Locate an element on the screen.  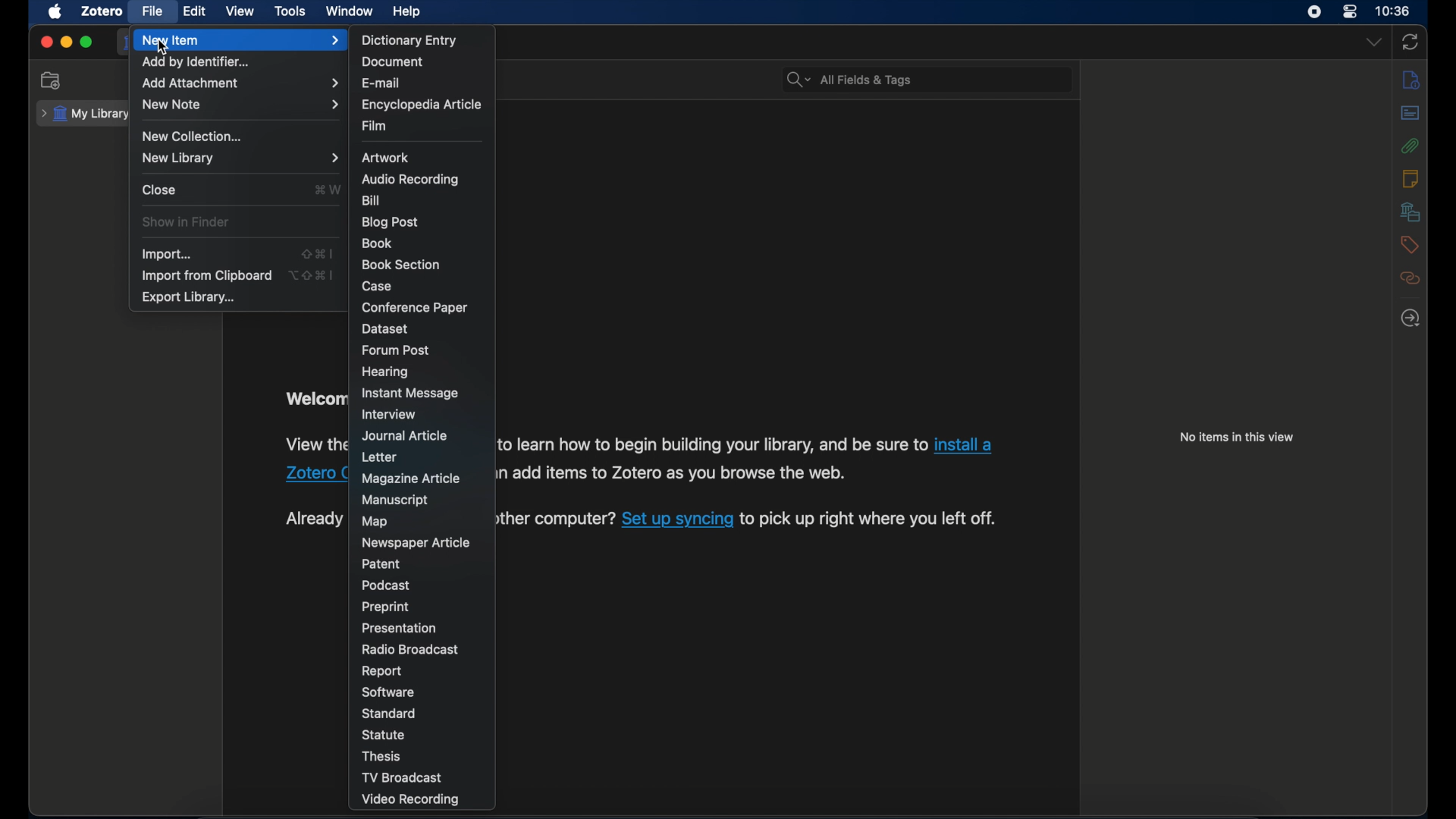
minimize is located at coordinates (65, 42).